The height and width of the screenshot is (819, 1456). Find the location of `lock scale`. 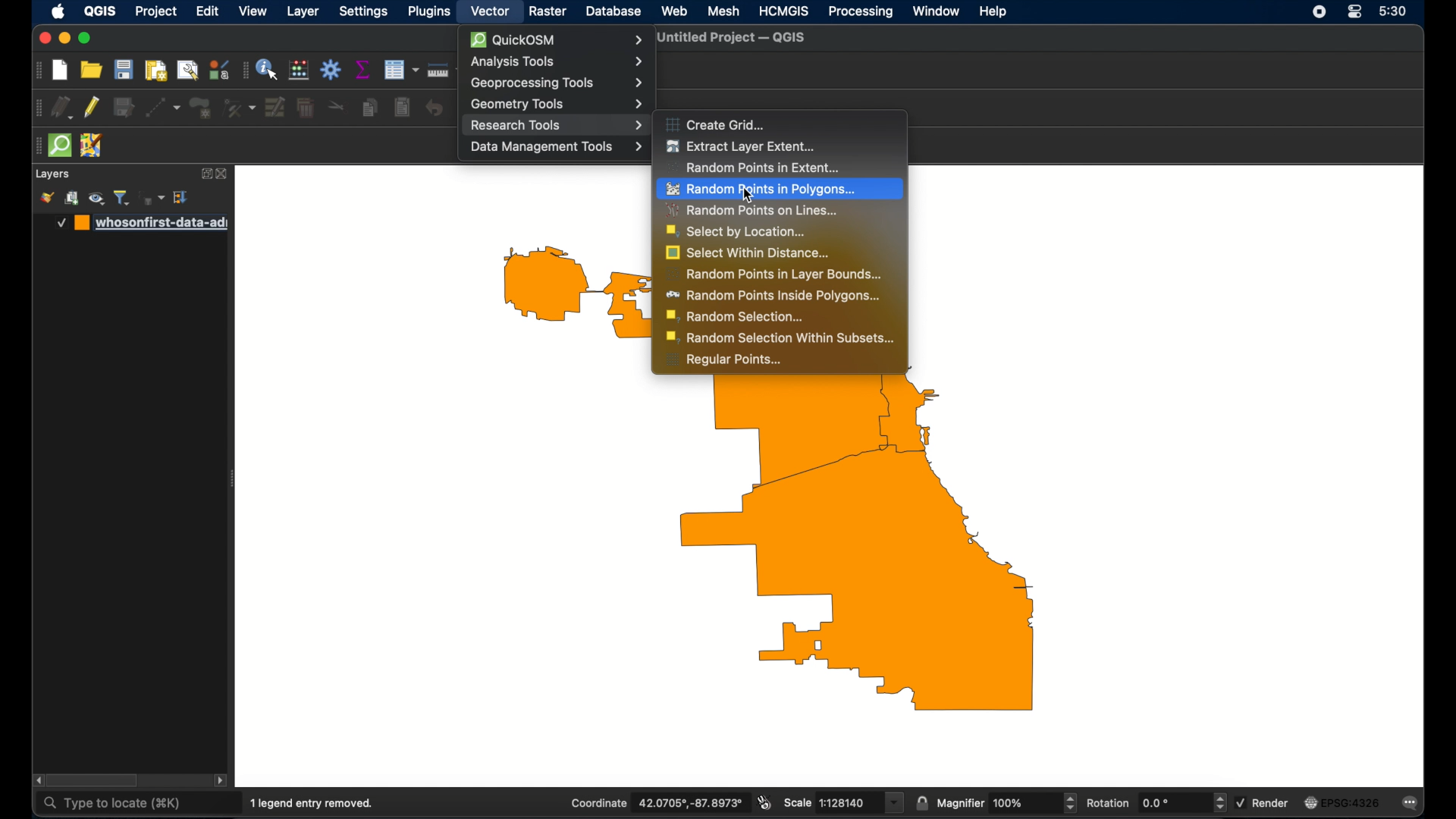

lock scale is located at coordinates (921, 803).